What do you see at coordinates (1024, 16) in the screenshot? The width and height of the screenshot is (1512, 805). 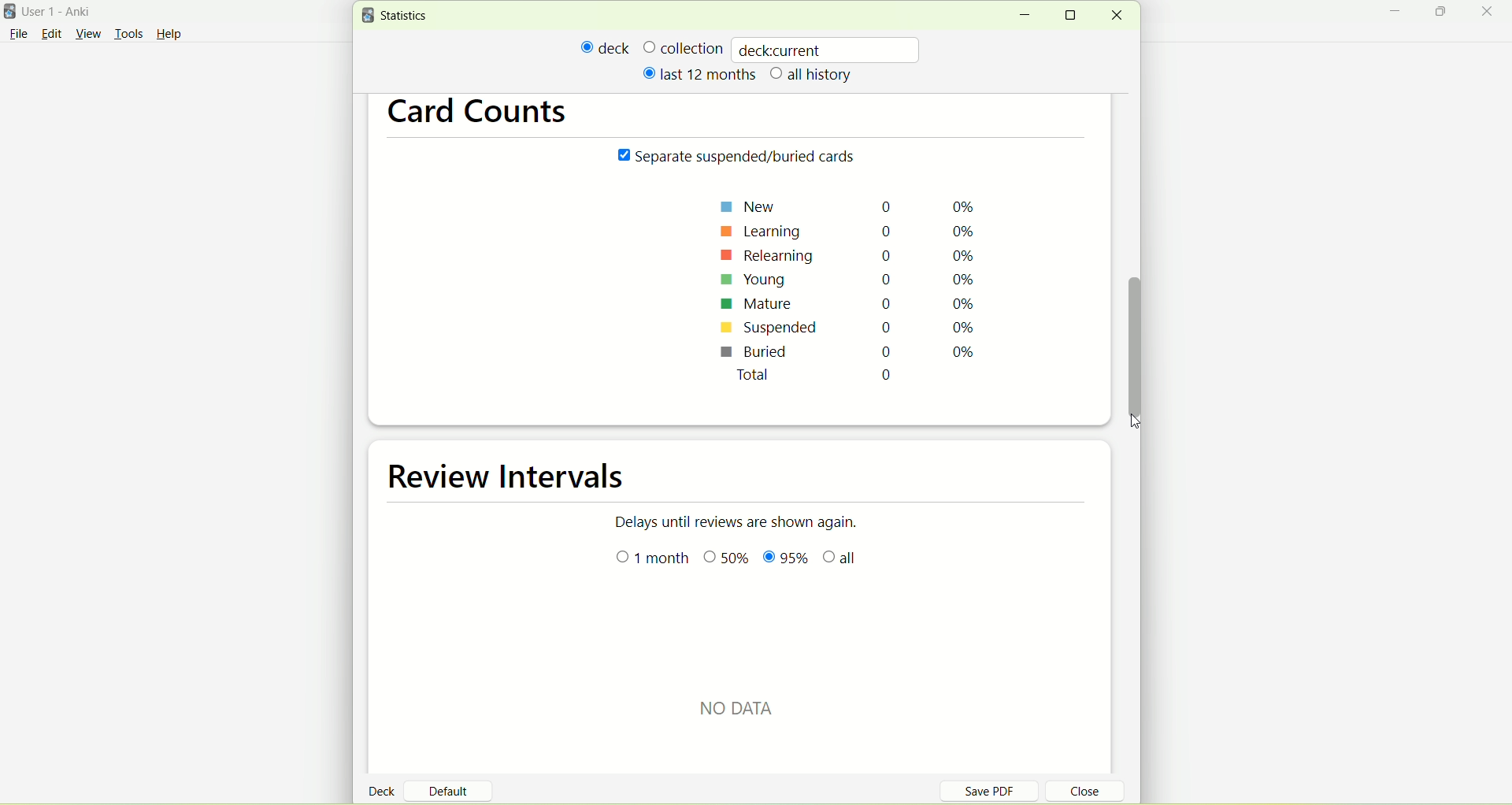 I see `minimize` at bounding box center [1024, 16].